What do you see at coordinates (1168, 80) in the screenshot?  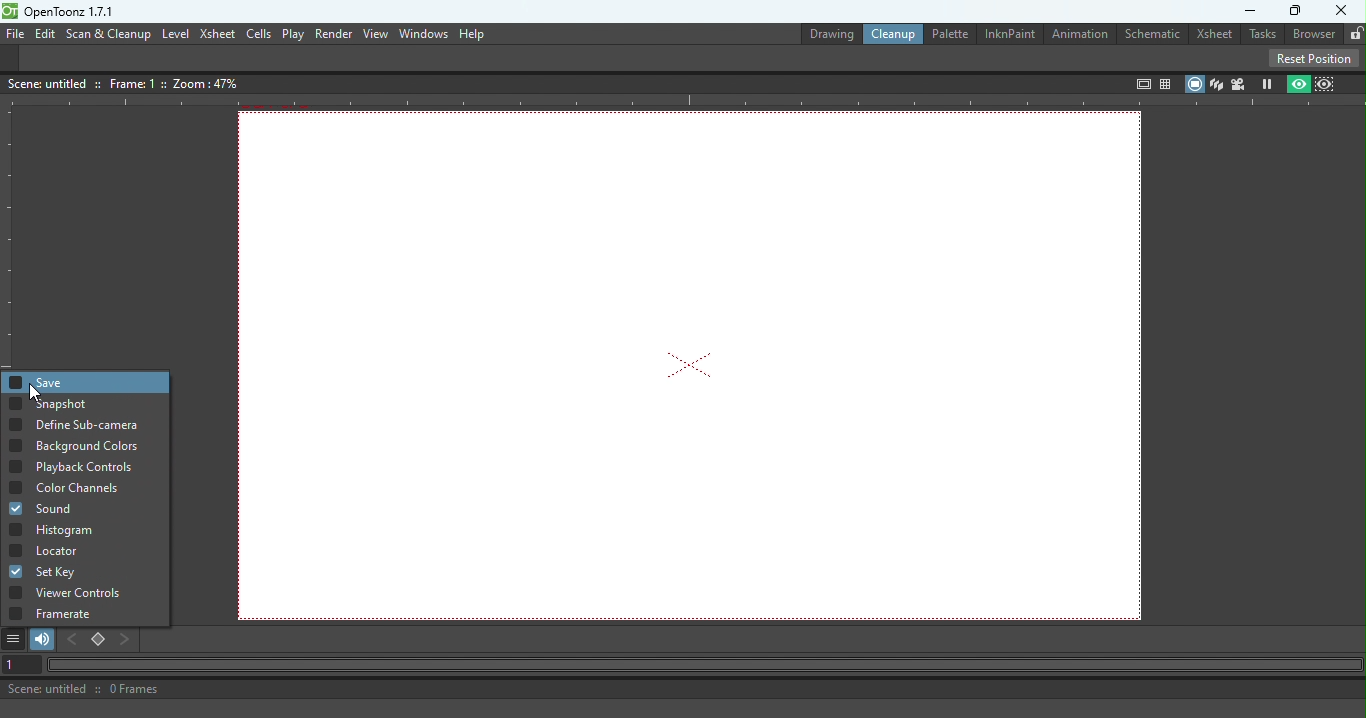 I see `Field guide` at bounding box center [1168, 80].